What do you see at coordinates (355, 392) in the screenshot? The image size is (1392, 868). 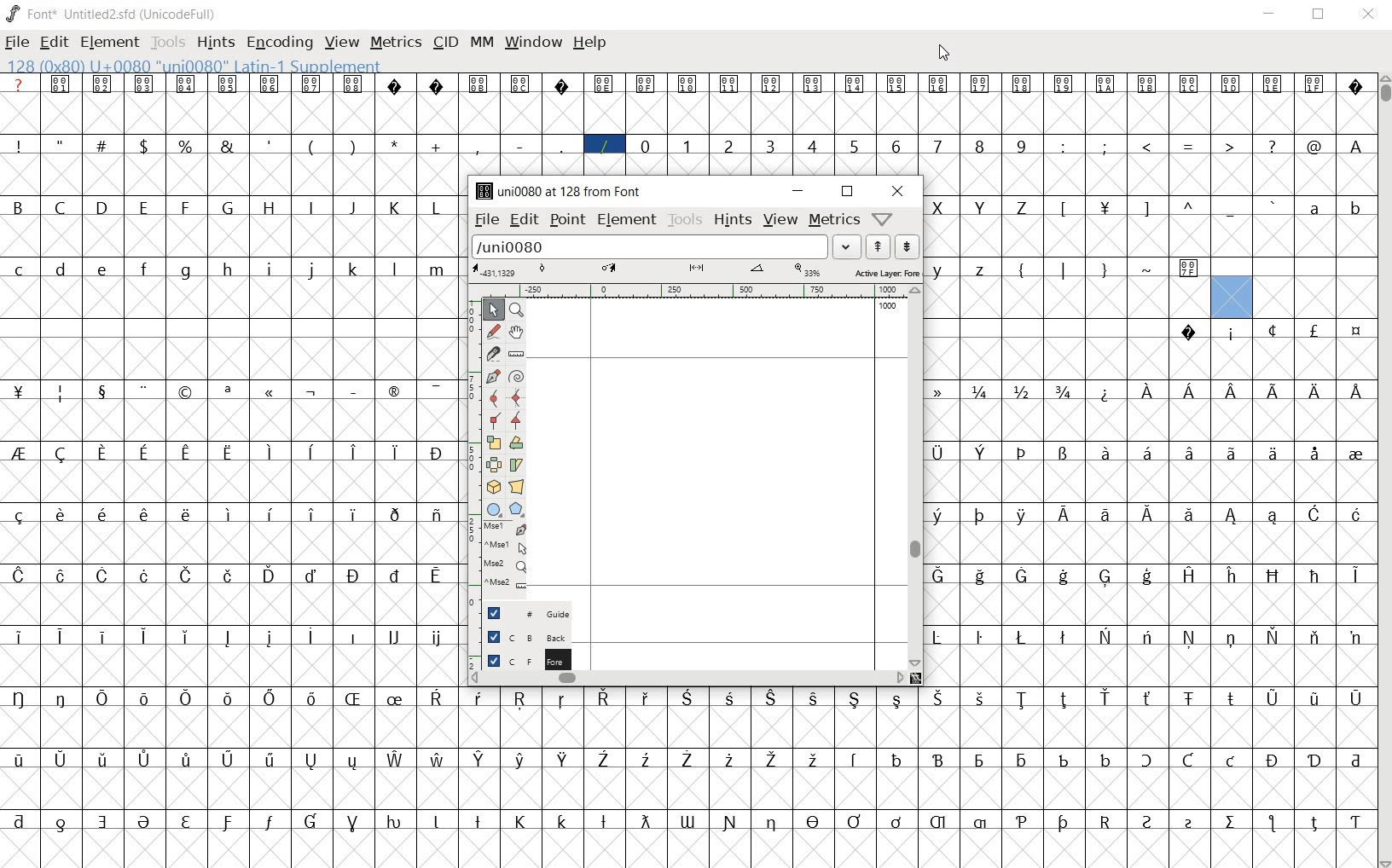 I see `glyph` at bounding box center [355, 392].